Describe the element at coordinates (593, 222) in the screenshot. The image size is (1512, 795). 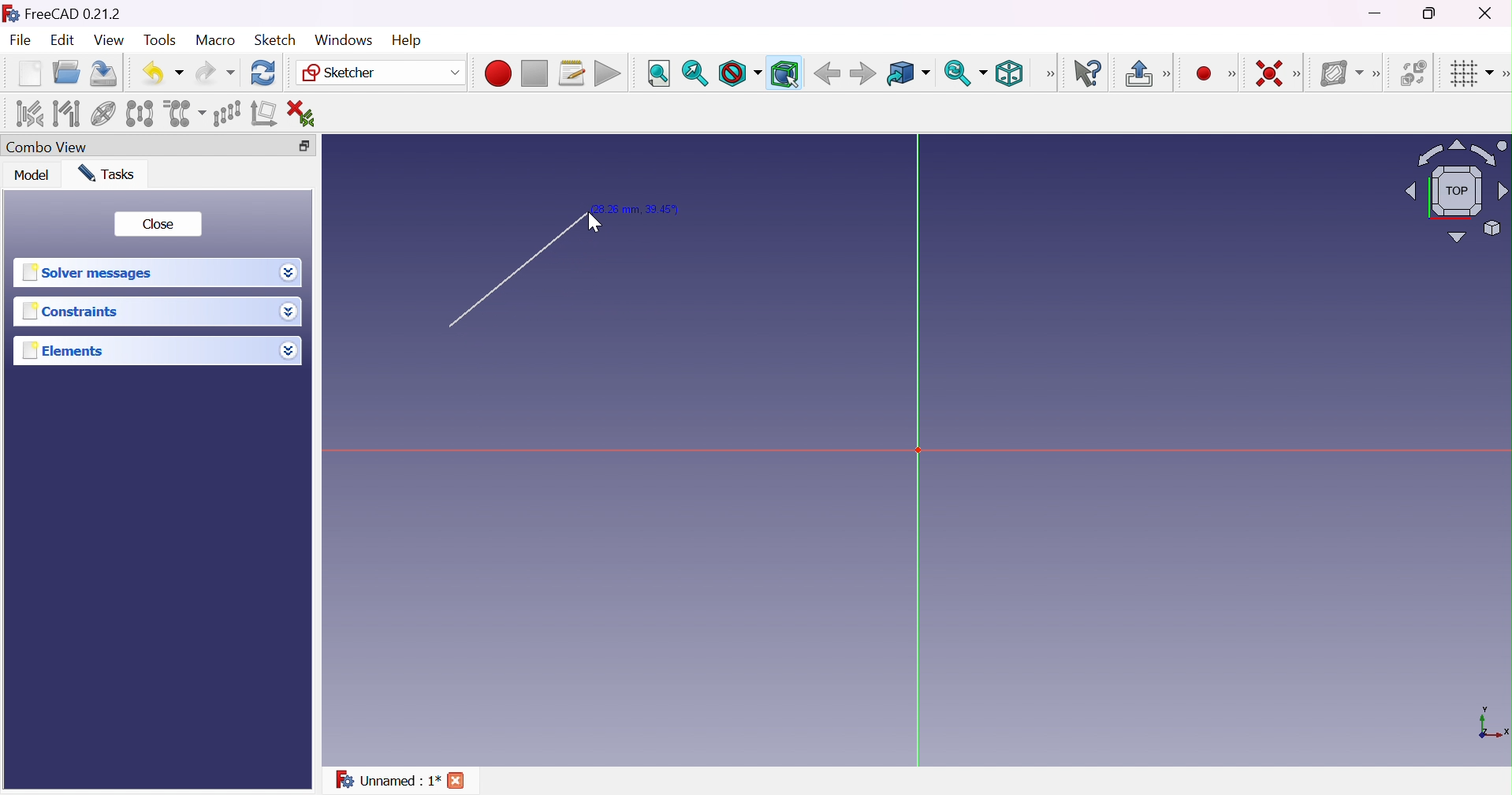
I see `Cursor` at that location.